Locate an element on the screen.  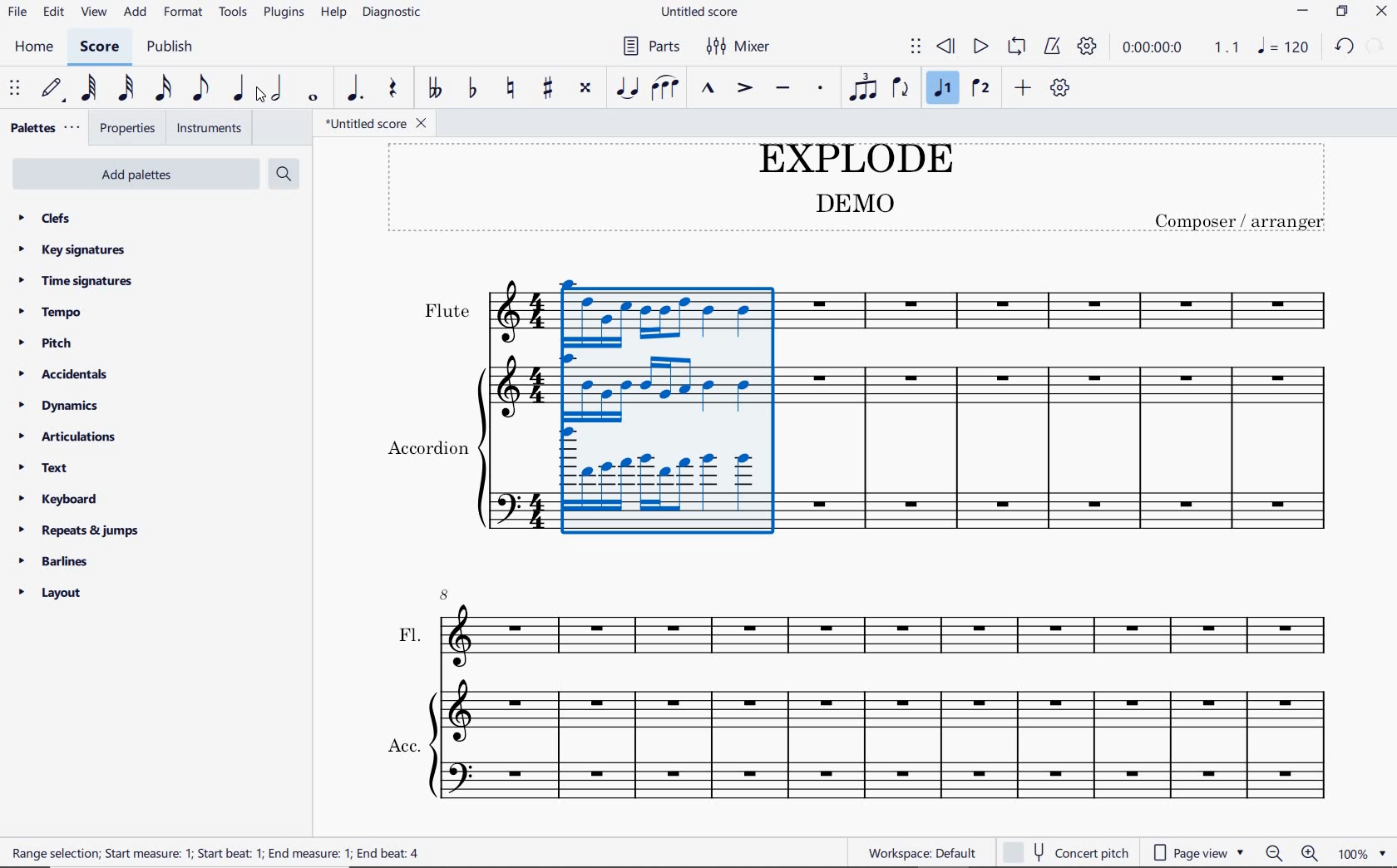
half note is located at coordinates (278, 90).